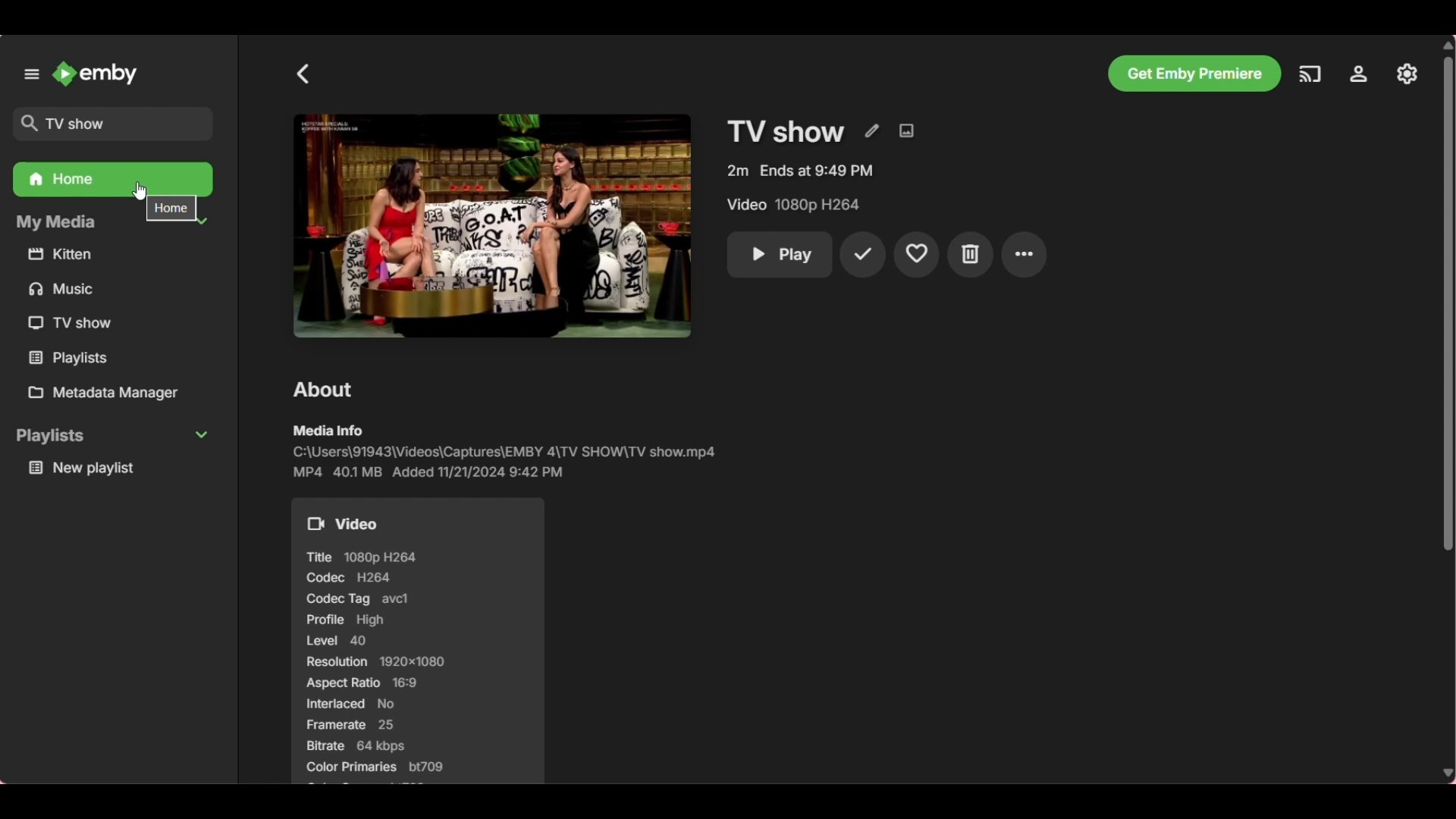 The image size is (1456, 819). What do you see at coordinates (74, 288) in the screenshot?
I see `music` at bounding box center [74, 288].